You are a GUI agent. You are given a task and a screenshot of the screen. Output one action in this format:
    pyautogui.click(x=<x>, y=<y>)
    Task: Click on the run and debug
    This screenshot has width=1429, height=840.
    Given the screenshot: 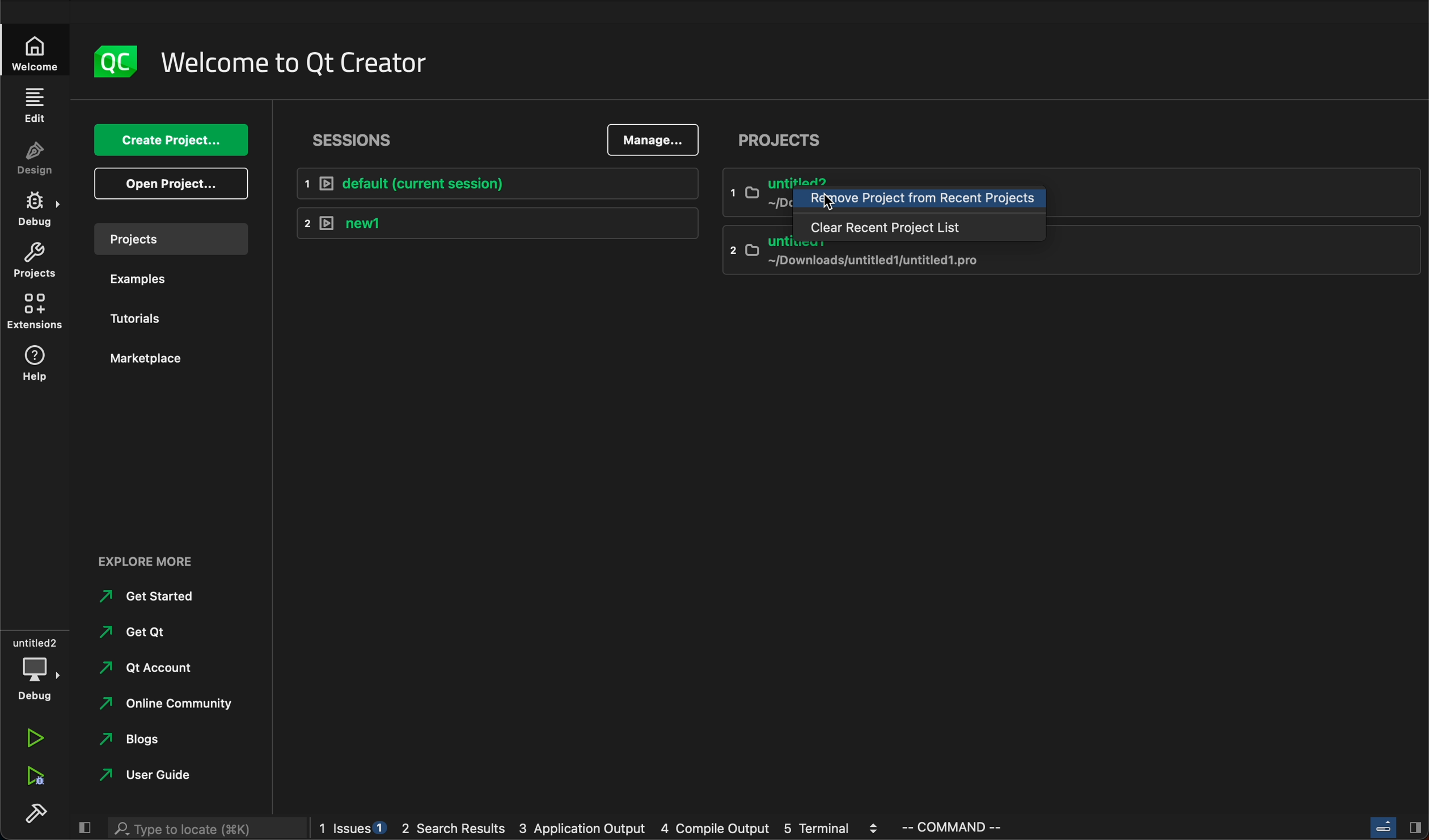 What is the action you would take?
    pyautogui.click(x=33, y=778)
    